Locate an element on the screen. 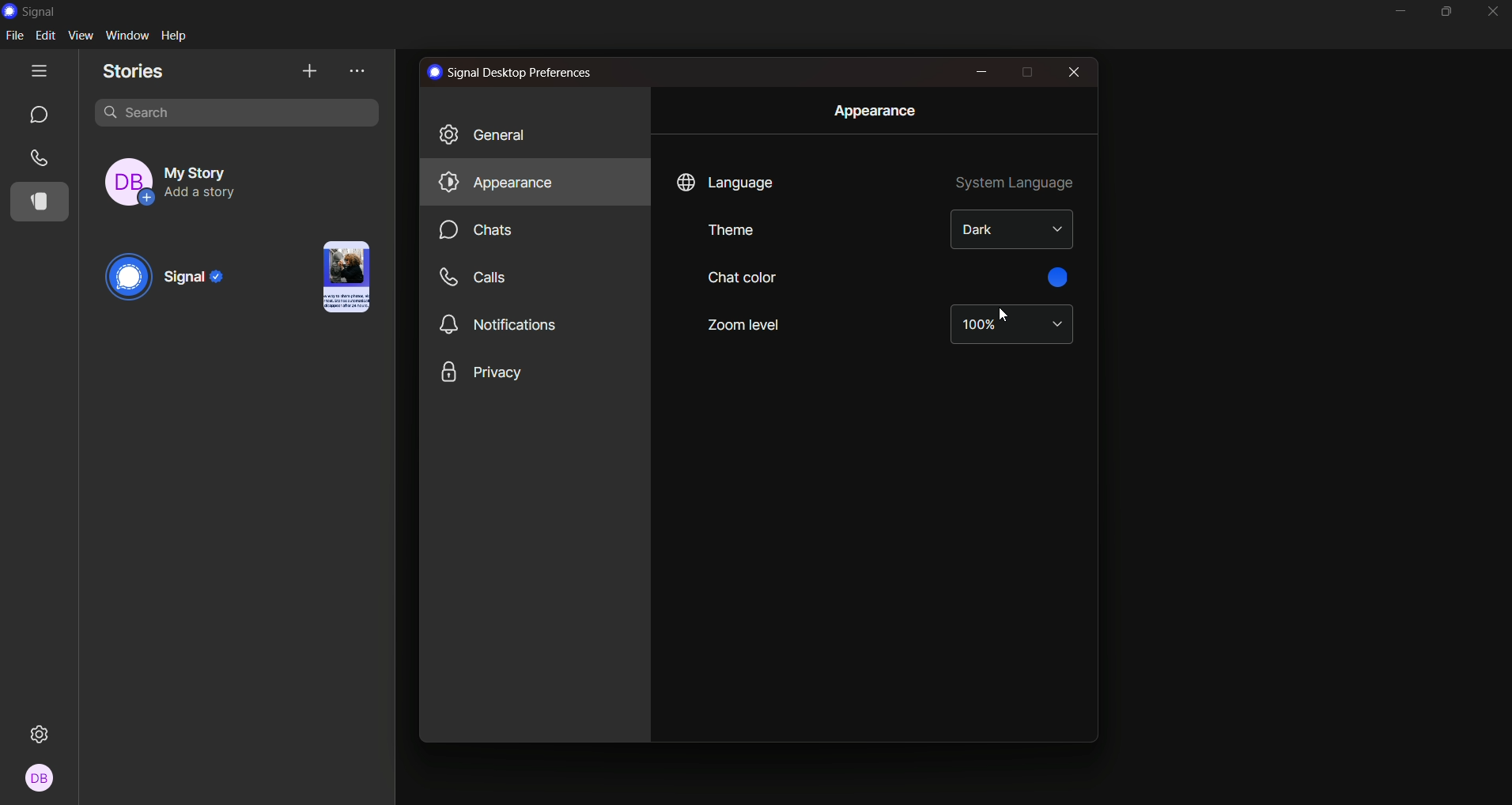 The height and width of the screenshot is (805, 1512). minimize maximize is located at coordinates (1447, 12).